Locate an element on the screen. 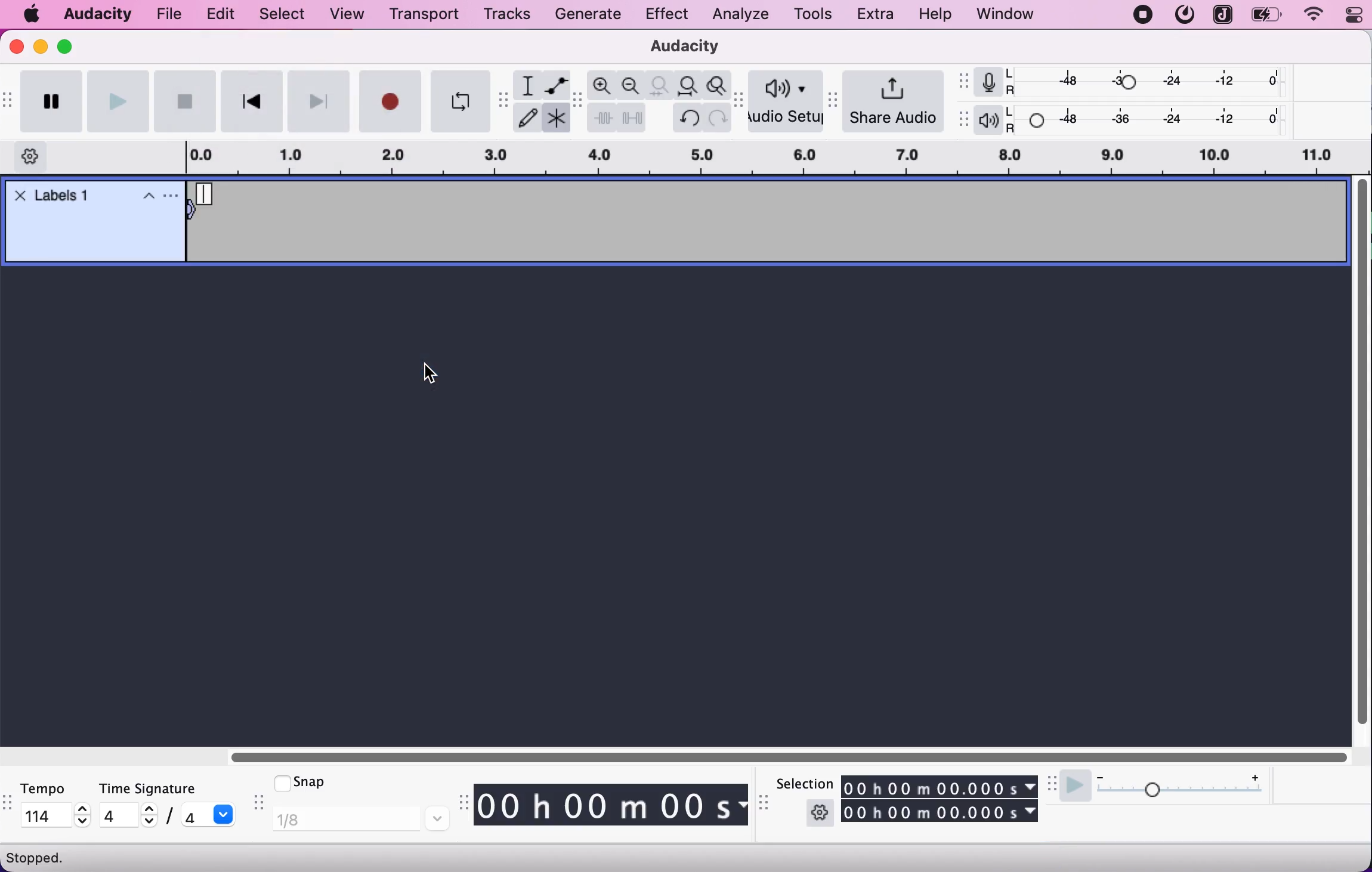 Image resolution: width=1372 pixels, height=872 pixels. audacity time toolbar is located at coordinates (461, 803).